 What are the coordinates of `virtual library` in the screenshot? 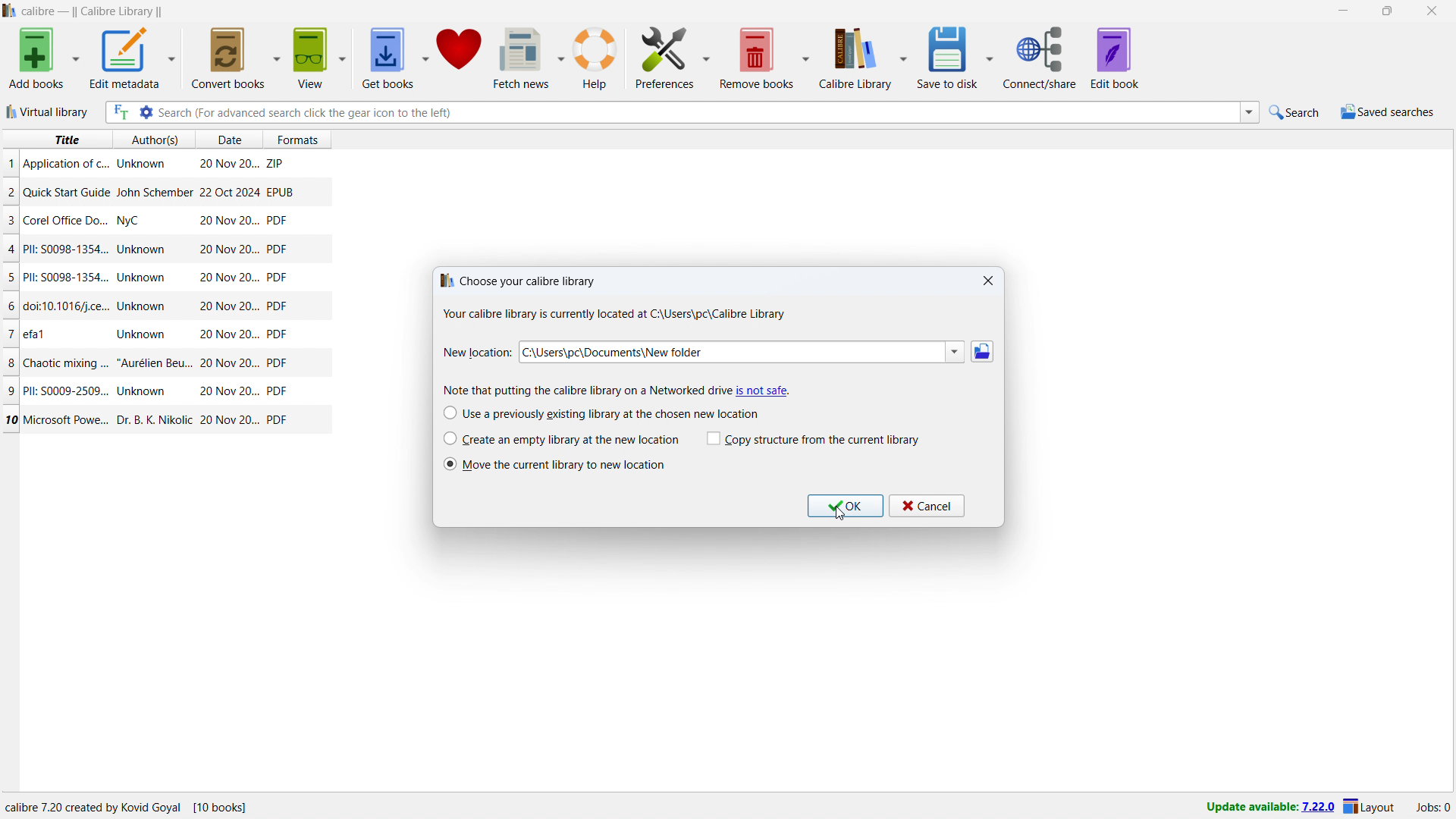 It's located at (49, 111).